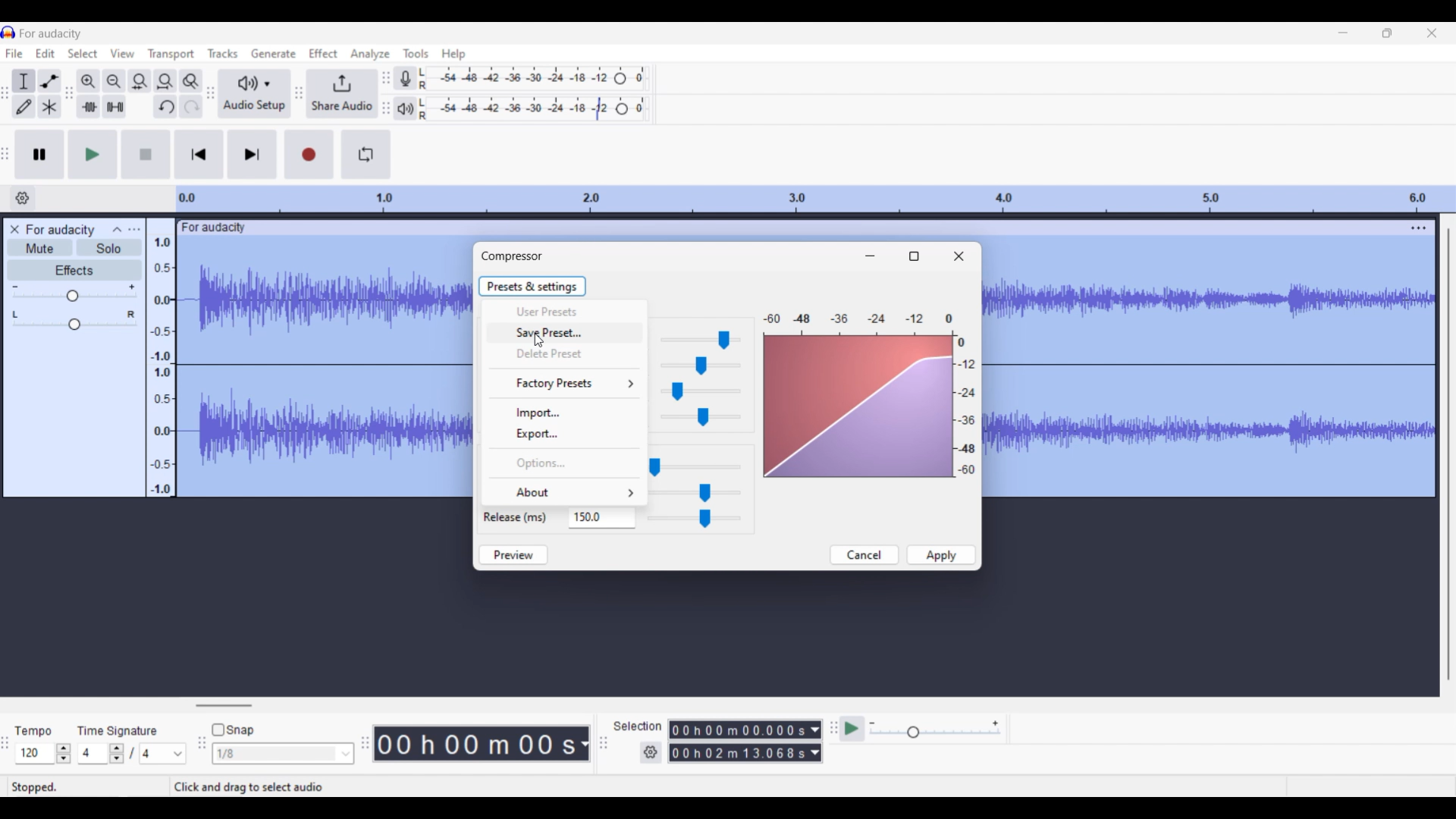 The image size is (1456, 819). Describe the element at coordinates (366, 154) in the screenshot. I see `Enable looping` at that location.